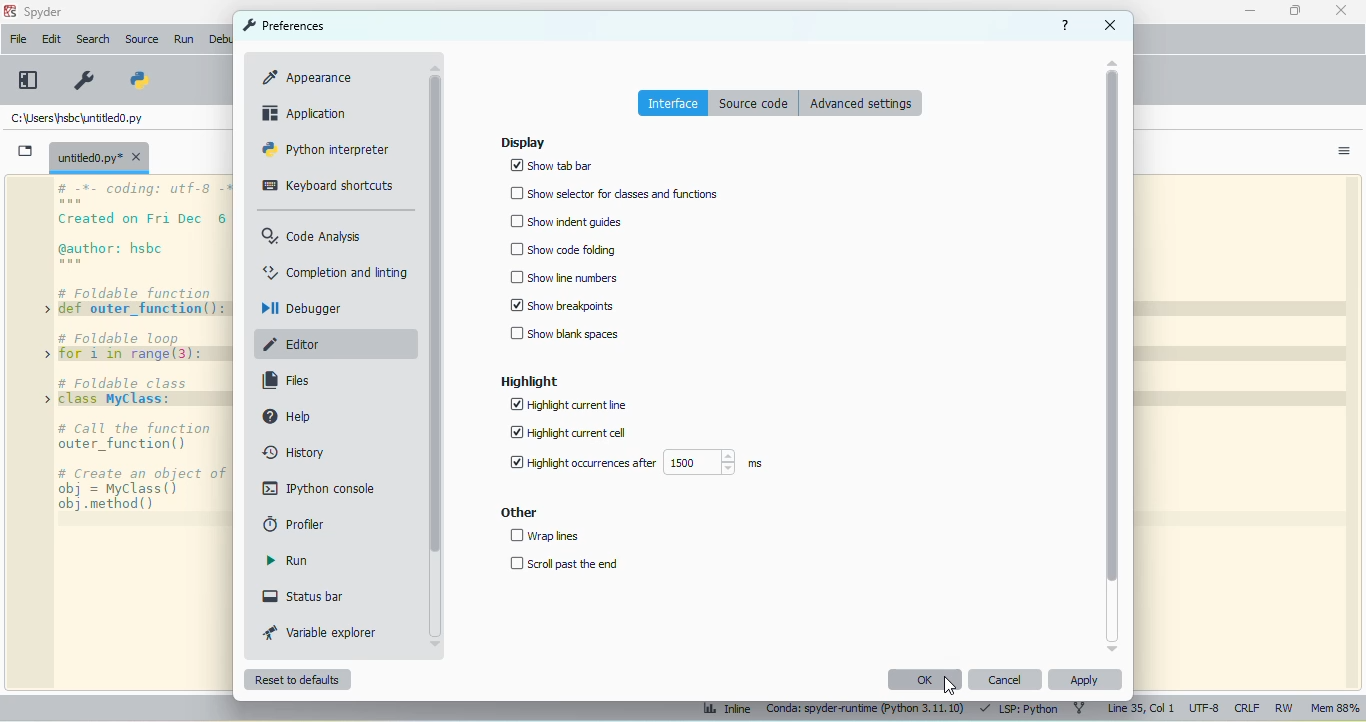 The height and width of the screenshot is (722, 1366). I want to click on editor, so click(294, 344).